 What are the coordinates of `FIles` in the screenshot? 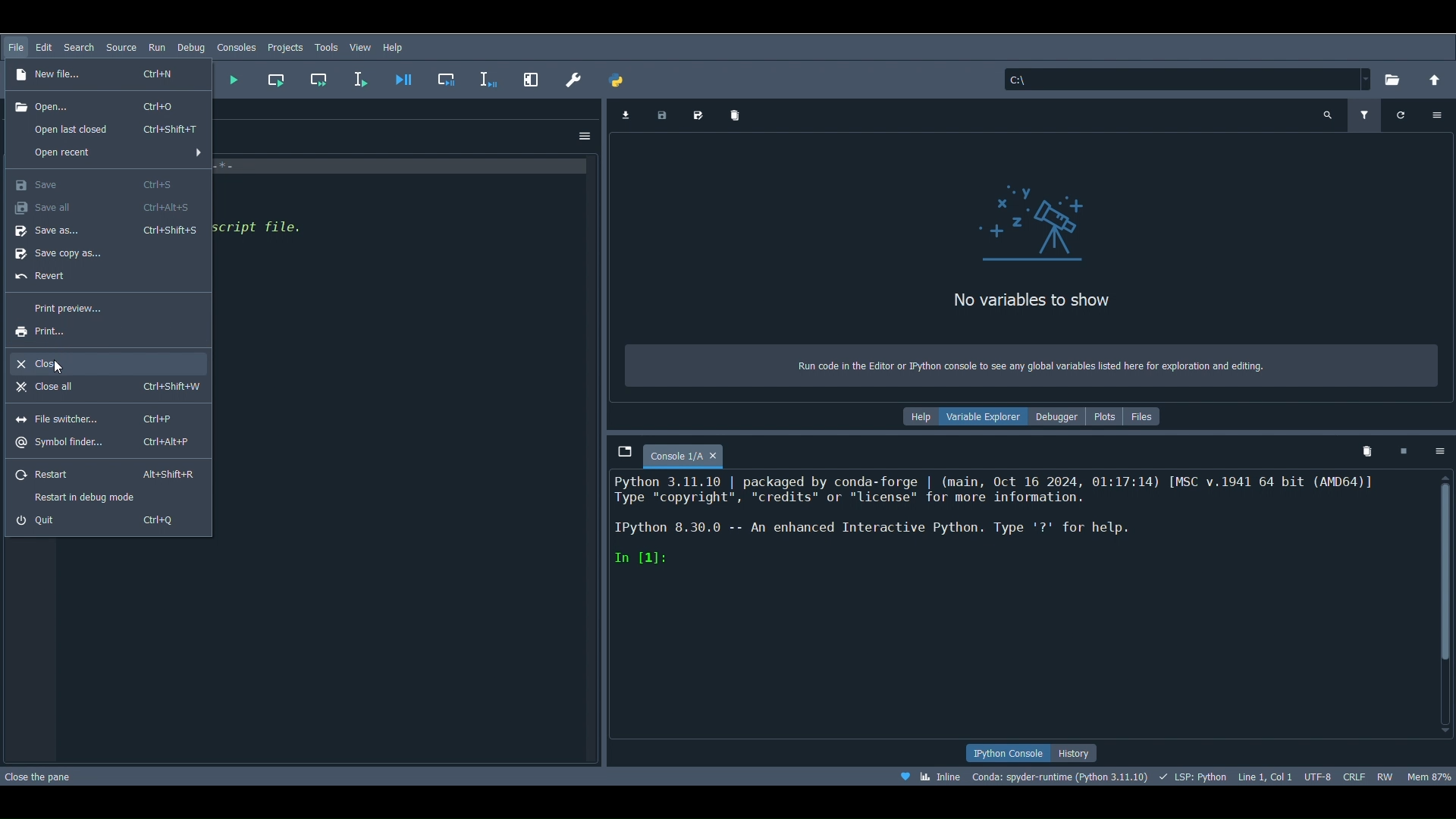 It's located at (1150, 415).